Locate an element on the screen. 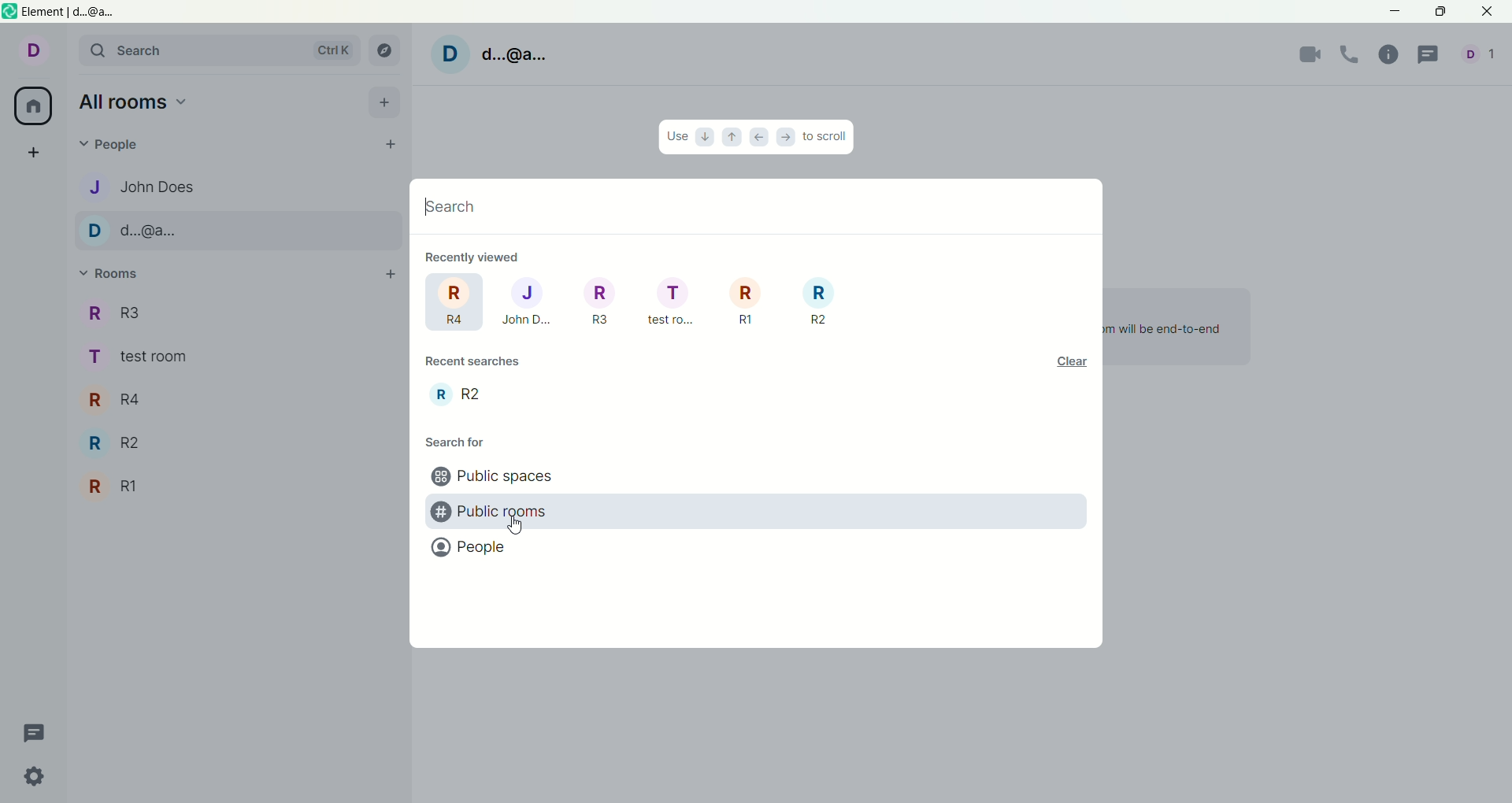 The height and width of the screenshot is (803, 1512). close is located at coordinates (1489, 12).